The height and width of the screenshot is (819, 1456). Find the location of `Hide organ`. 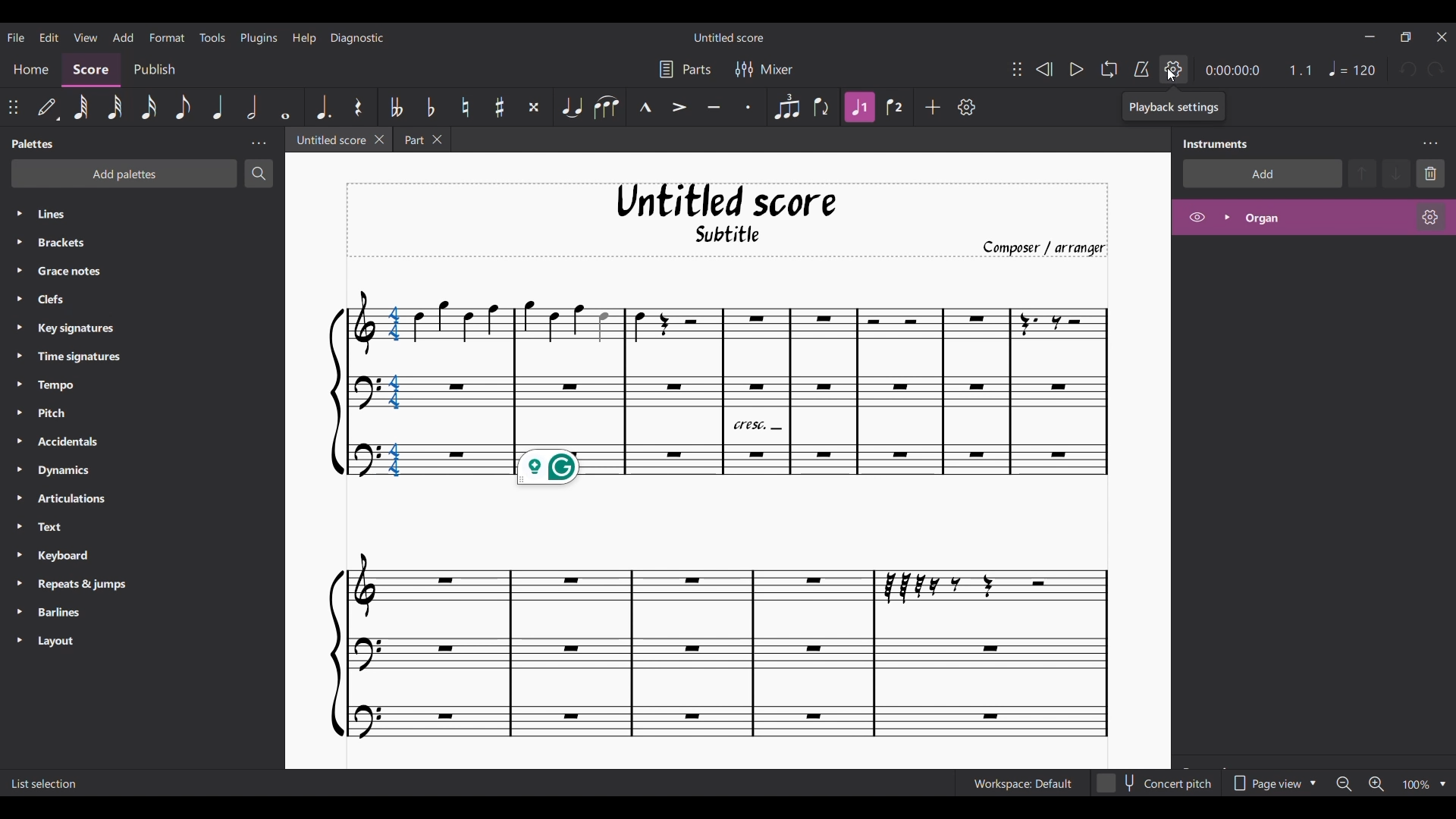

Hide organ is located at coordinates (1197, 217).